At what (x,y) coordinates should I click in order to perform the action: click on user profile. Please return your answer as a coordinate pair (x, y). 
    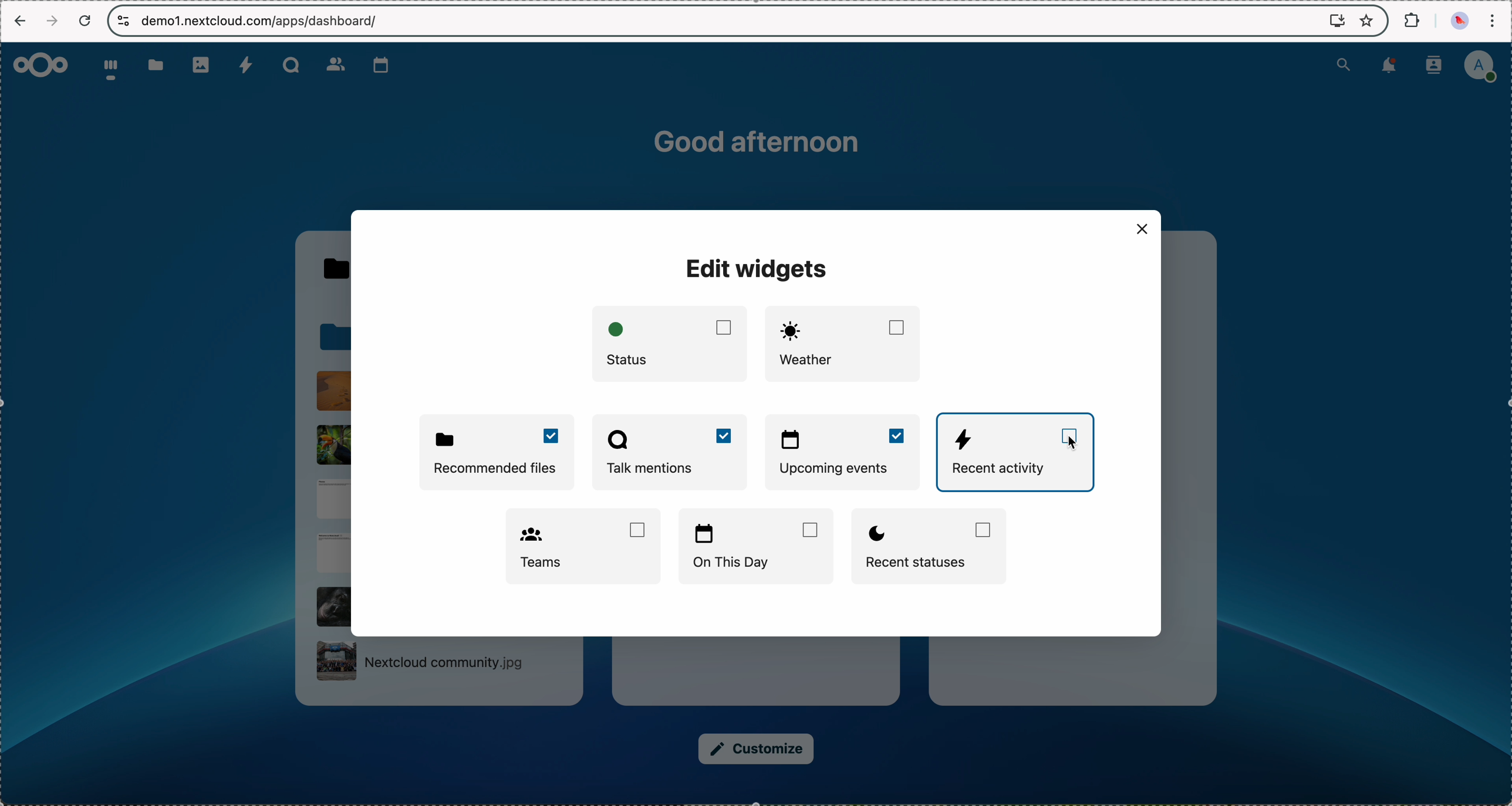
    Looking at the image, I should click on (1484, 66).